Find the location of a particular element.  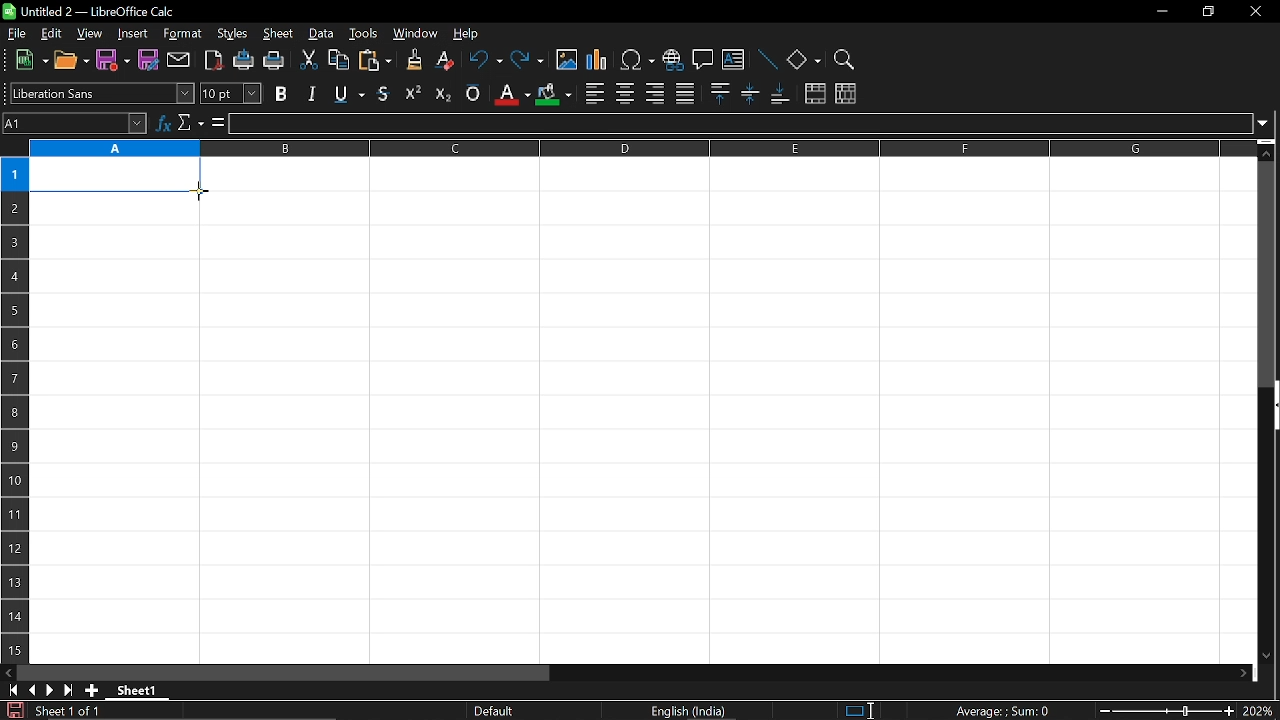

columns is located at coordinates (640, 148).